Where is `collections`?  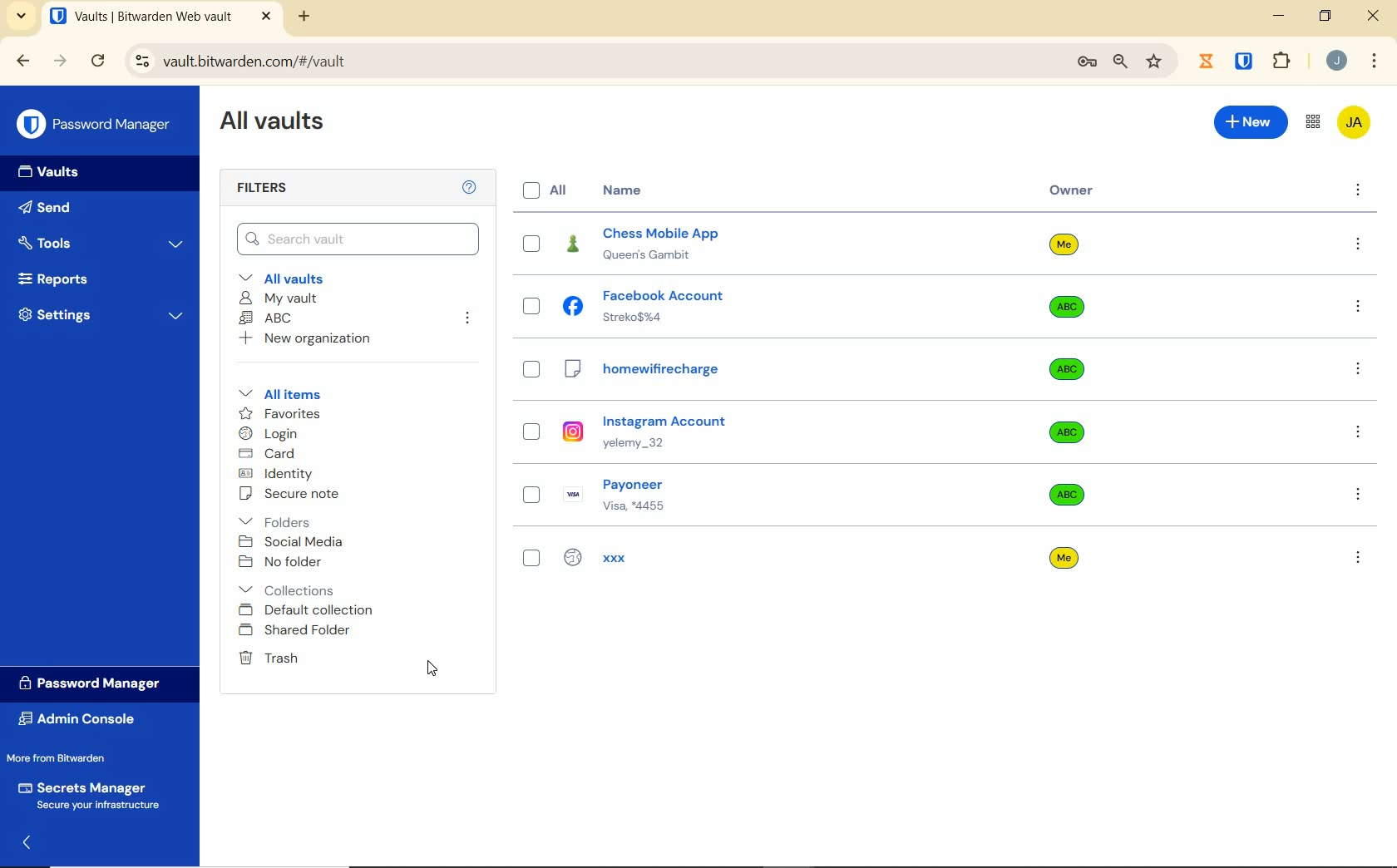 collections is located at coordinates (289, 589).